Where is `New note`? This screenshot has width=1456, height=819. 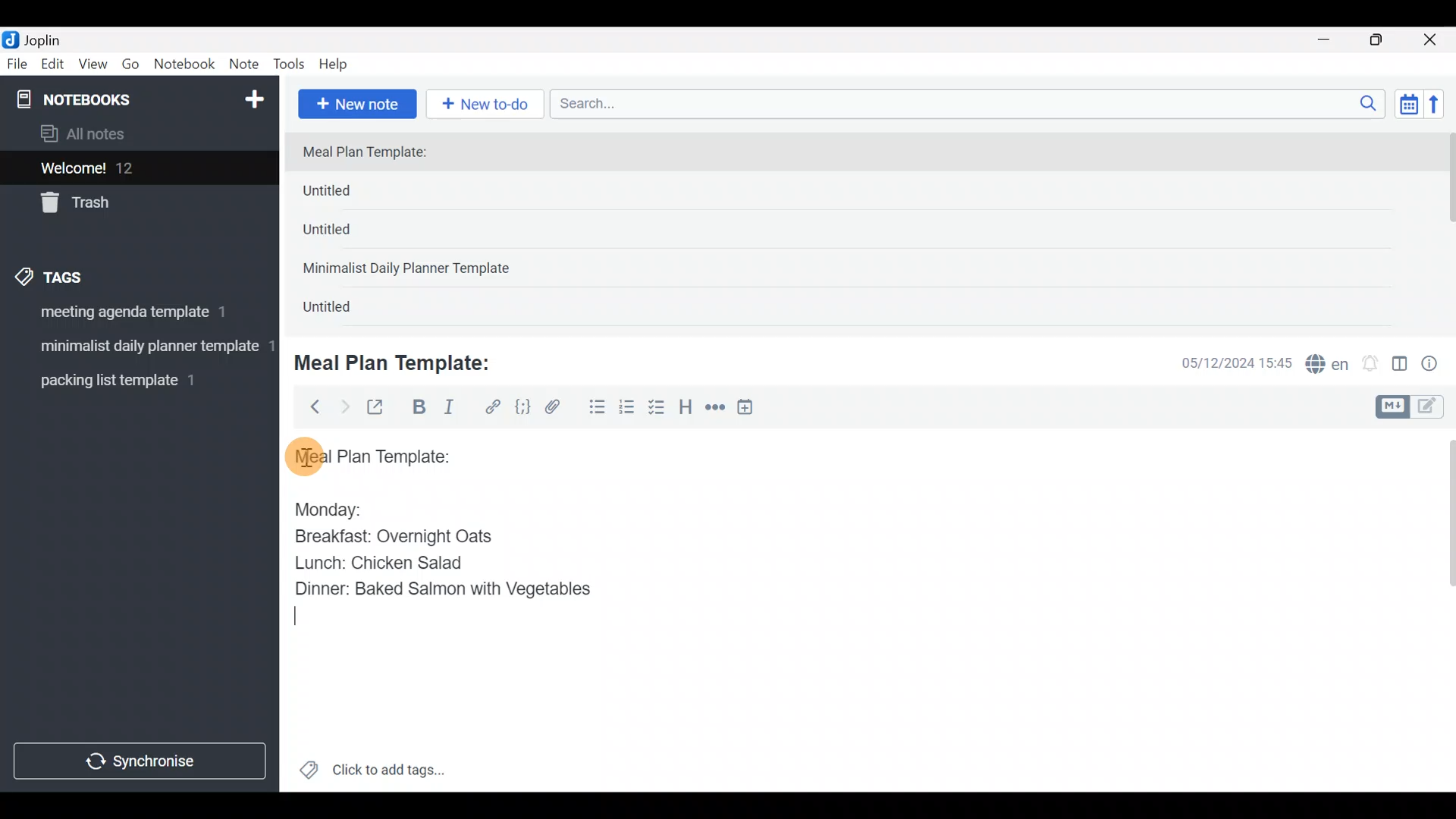
New note is located at coordinates (356, 102).